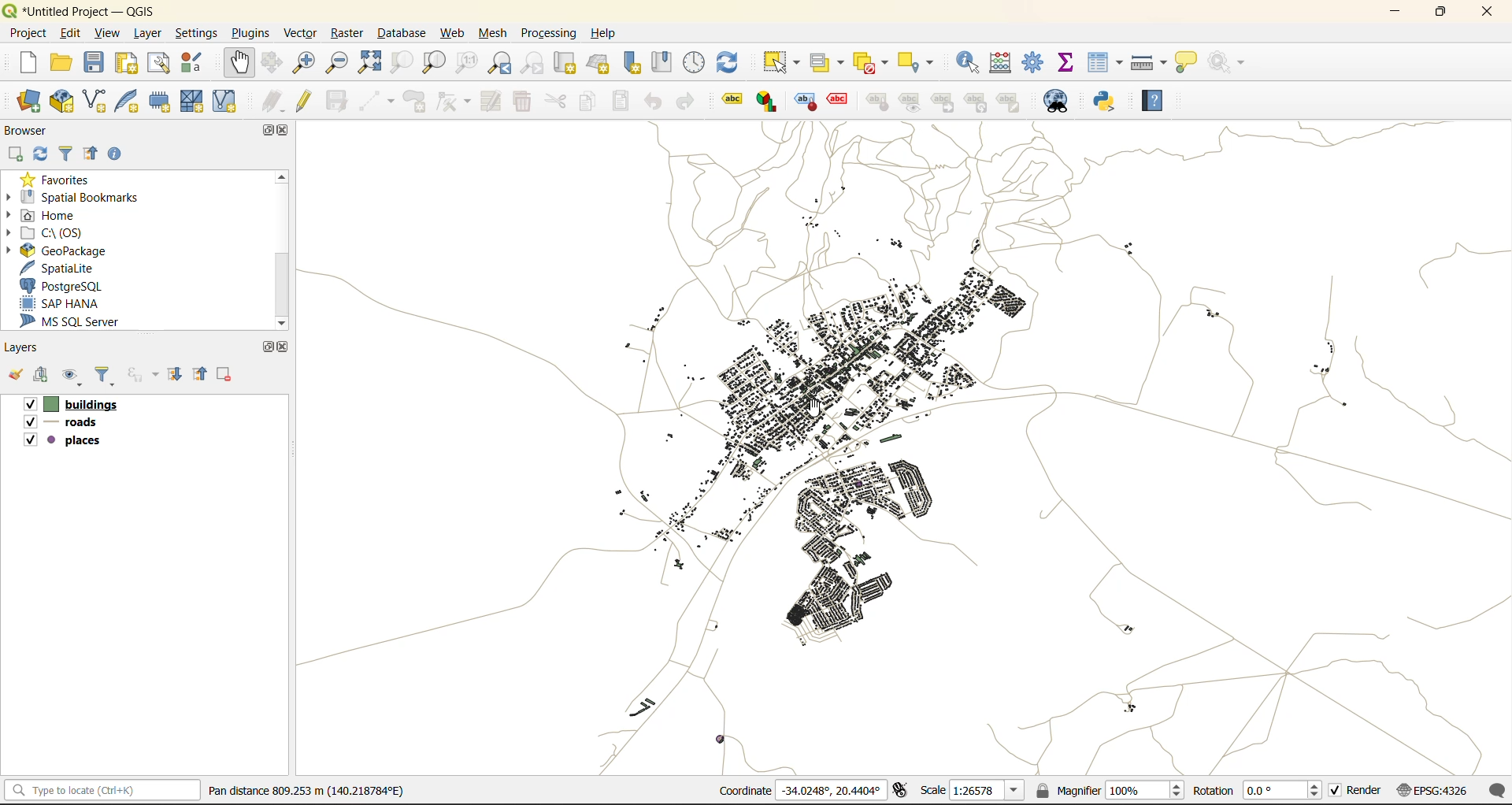  Describe the element at coordinates (1255, 791) in the screenshot. I see `rotation` at that location.